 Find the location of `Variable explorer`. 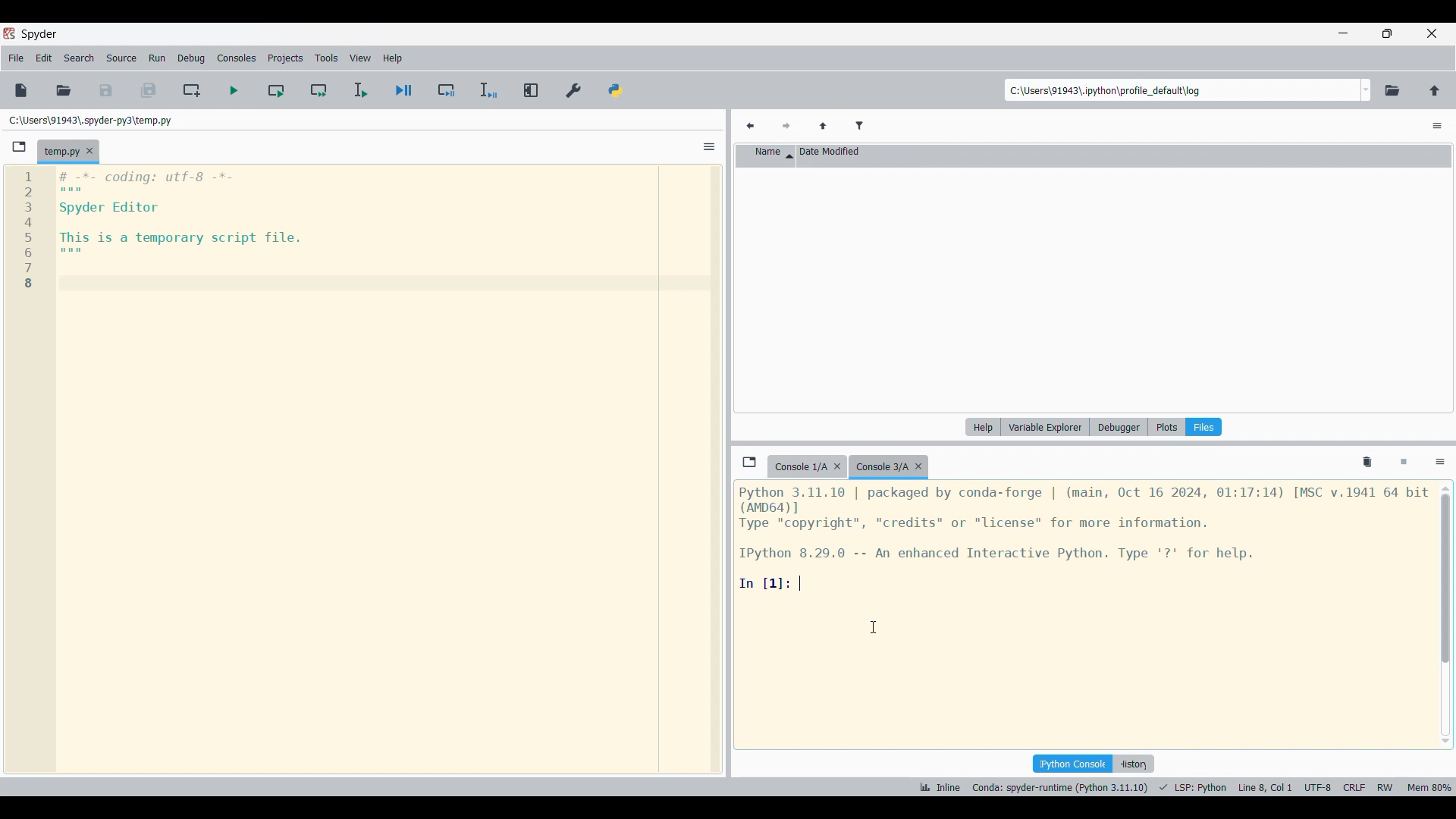

Variable explorer is located at coordinates (1046, 427).